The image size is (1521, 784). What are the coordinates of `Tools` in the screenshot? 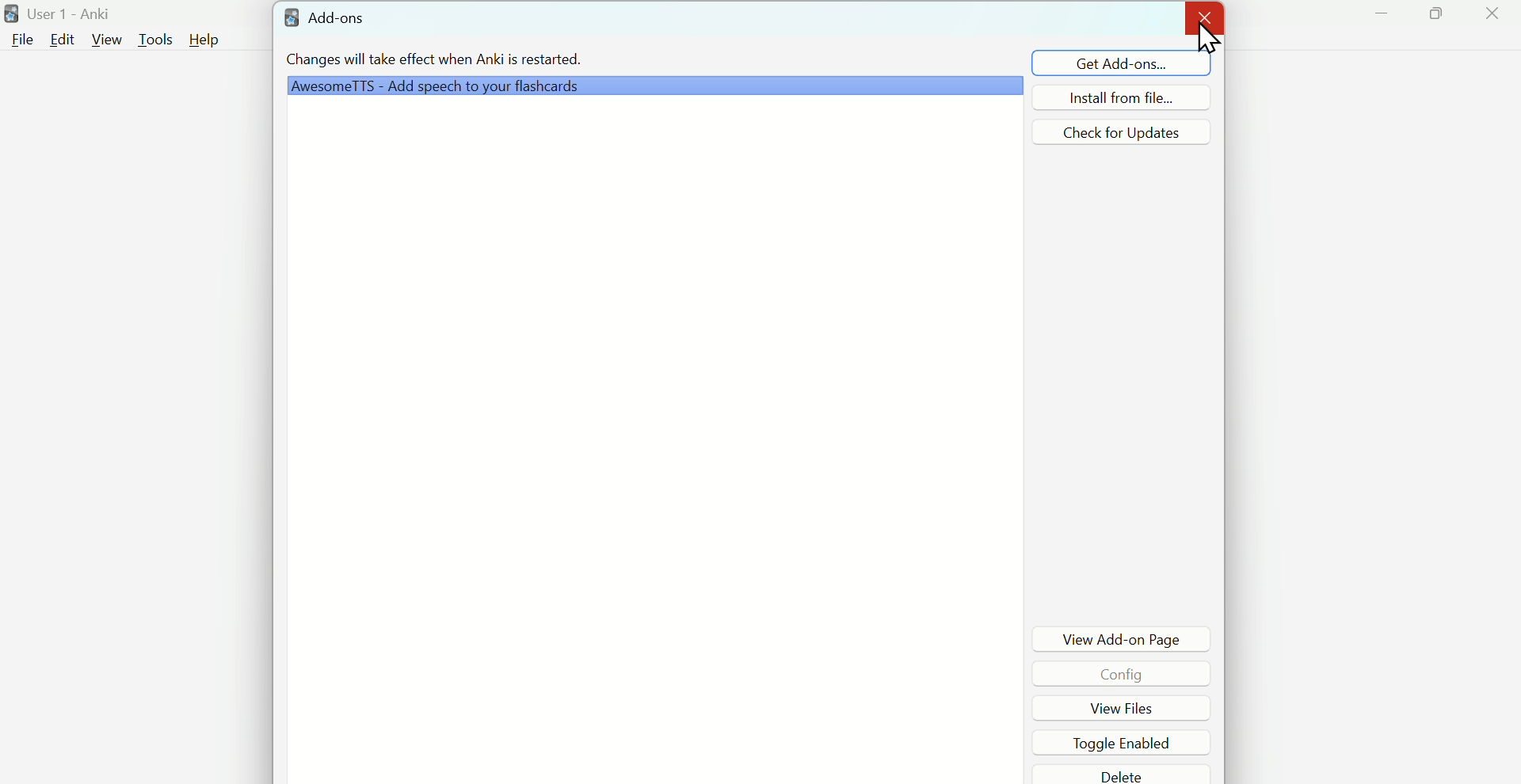 It's located at (156, 39).